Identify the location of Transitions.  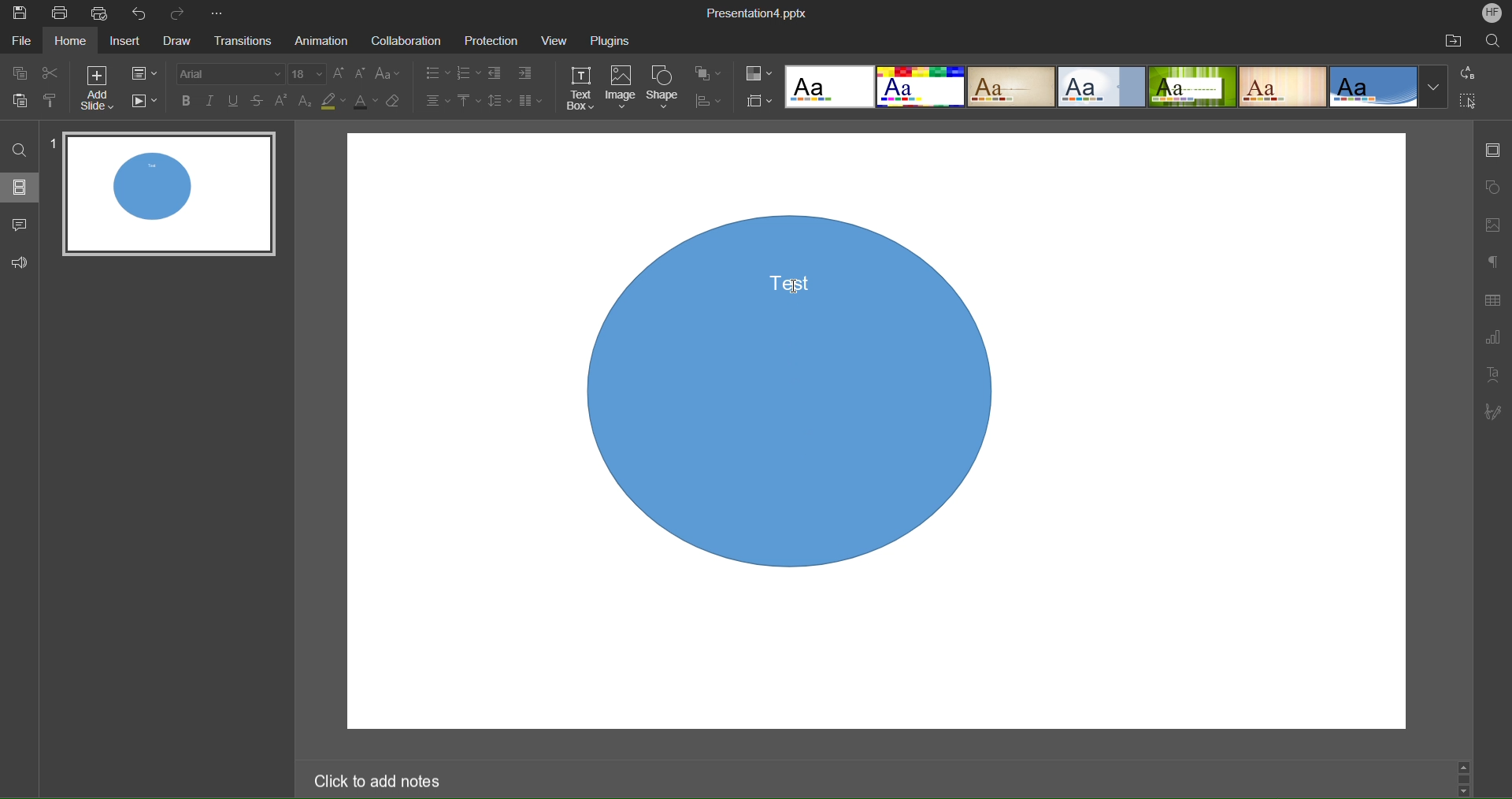
(245, 40).